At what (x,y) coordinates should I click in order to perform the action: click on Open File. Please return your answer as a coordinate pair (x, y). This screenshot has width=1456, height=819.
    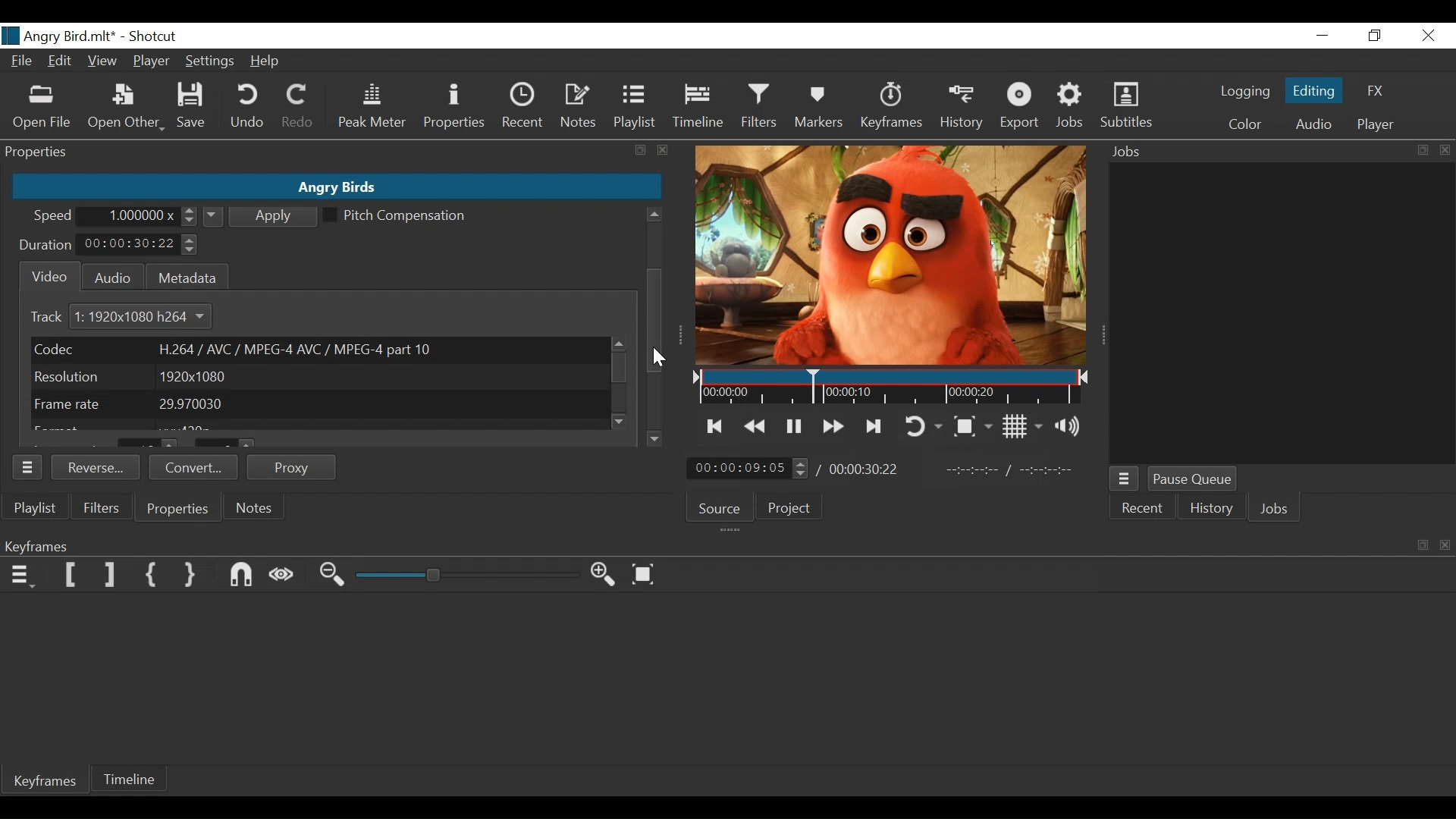
    Looking at the image, I should click on (40, 108).